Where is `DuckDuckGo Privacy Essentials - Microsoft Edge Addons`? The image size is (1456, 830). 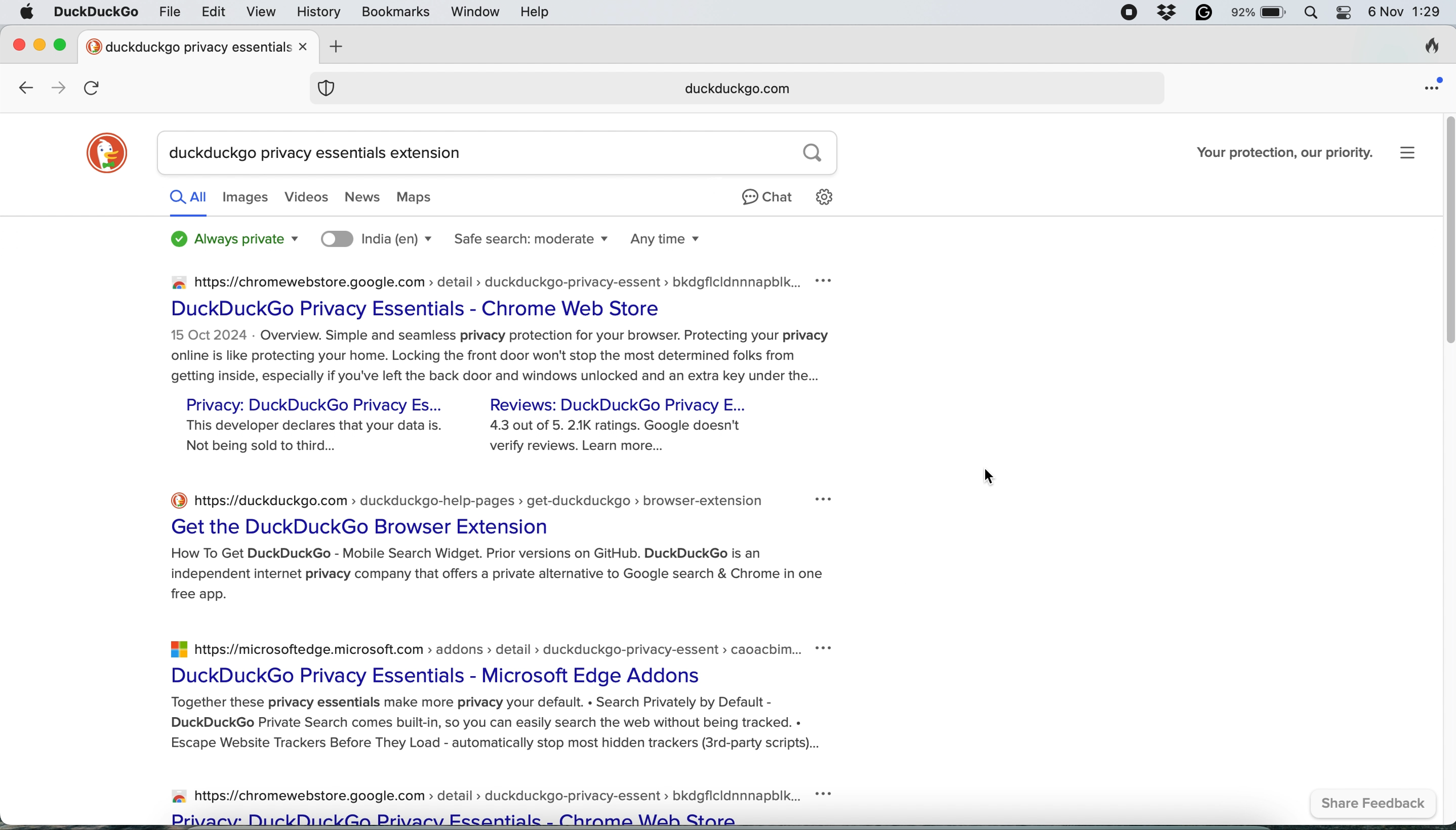 DuckDuckGo Privacy Essentials - Microsoft Edge Addons is located at coordinates (436, 677).